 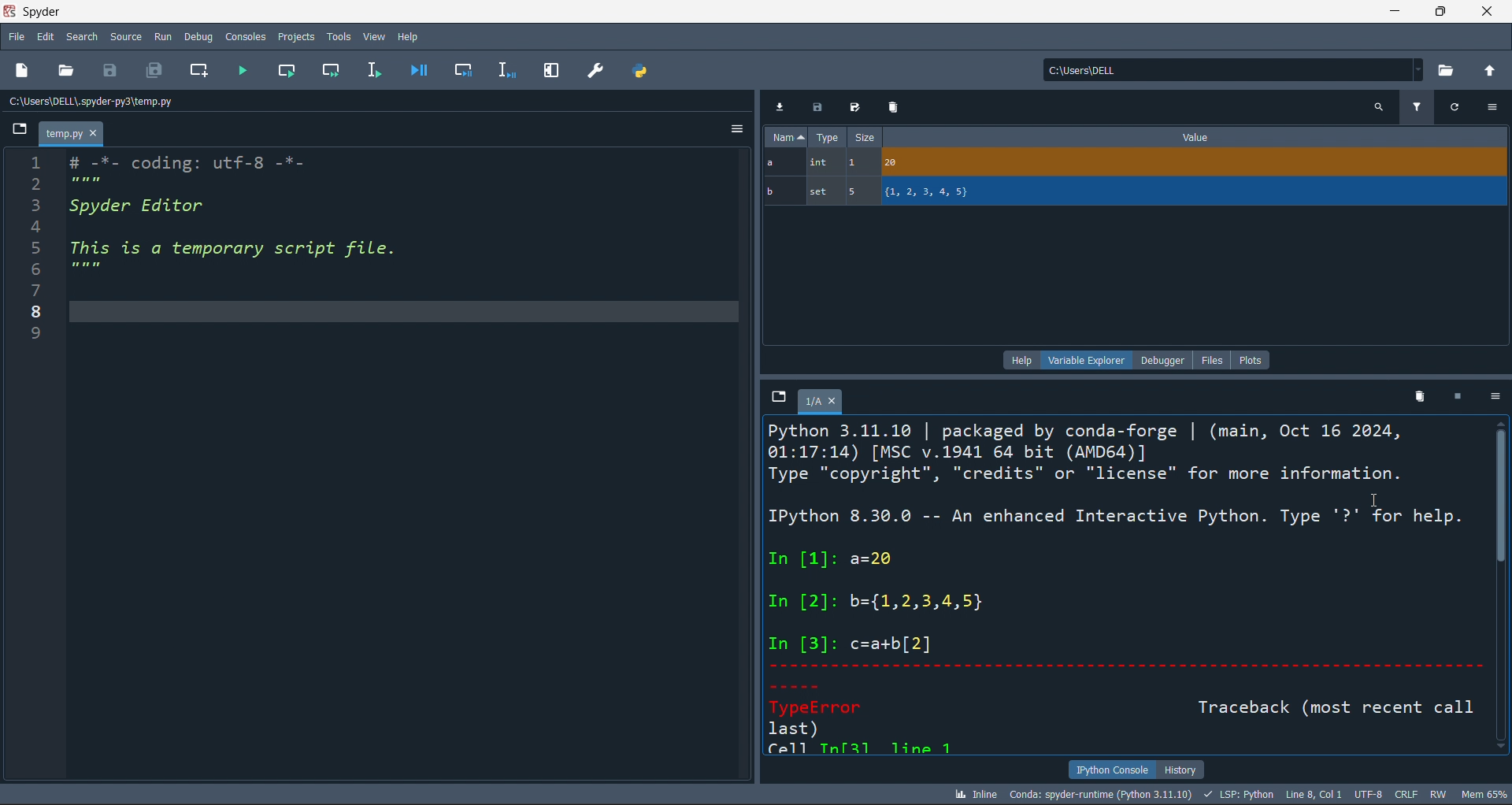 What do you see at coordinates (1165, 359) in the screenshot?
I see `debugger` at bounding box center [1165, 359].